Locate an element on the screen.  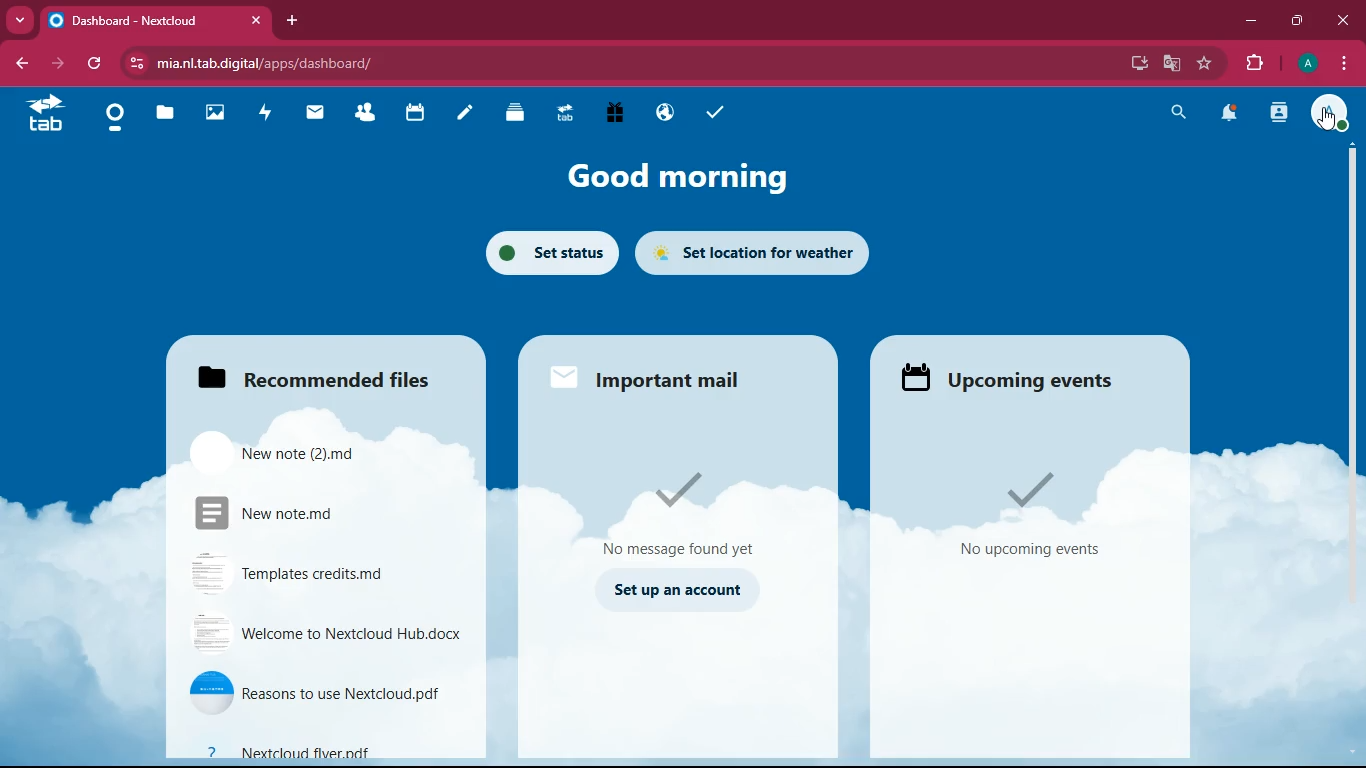
tasks is located at coordinates (715, 114).